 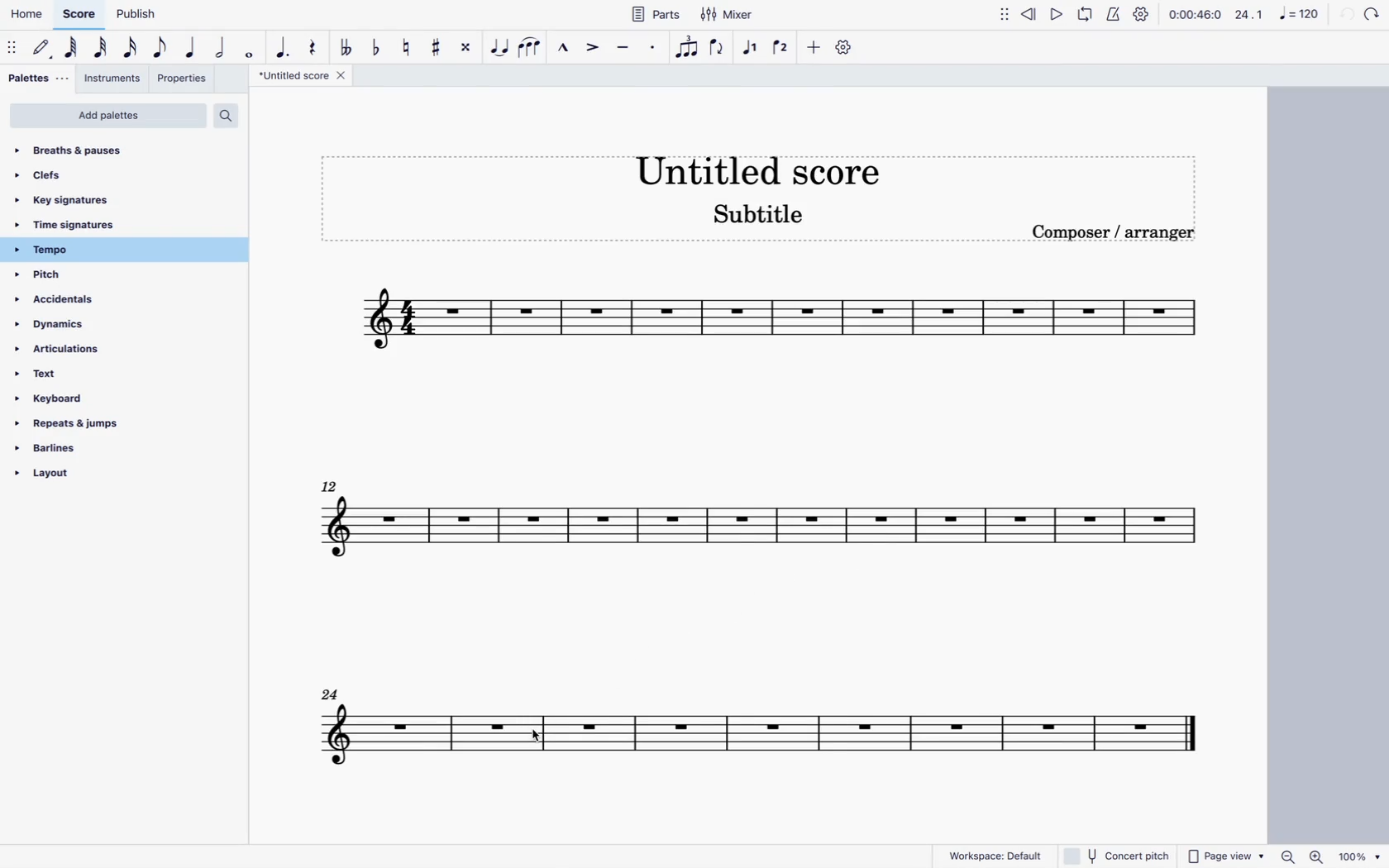 What do you see at coordinates (73, 47) in the screenshot?
I see `64th note` at bounding box center [73, 47].